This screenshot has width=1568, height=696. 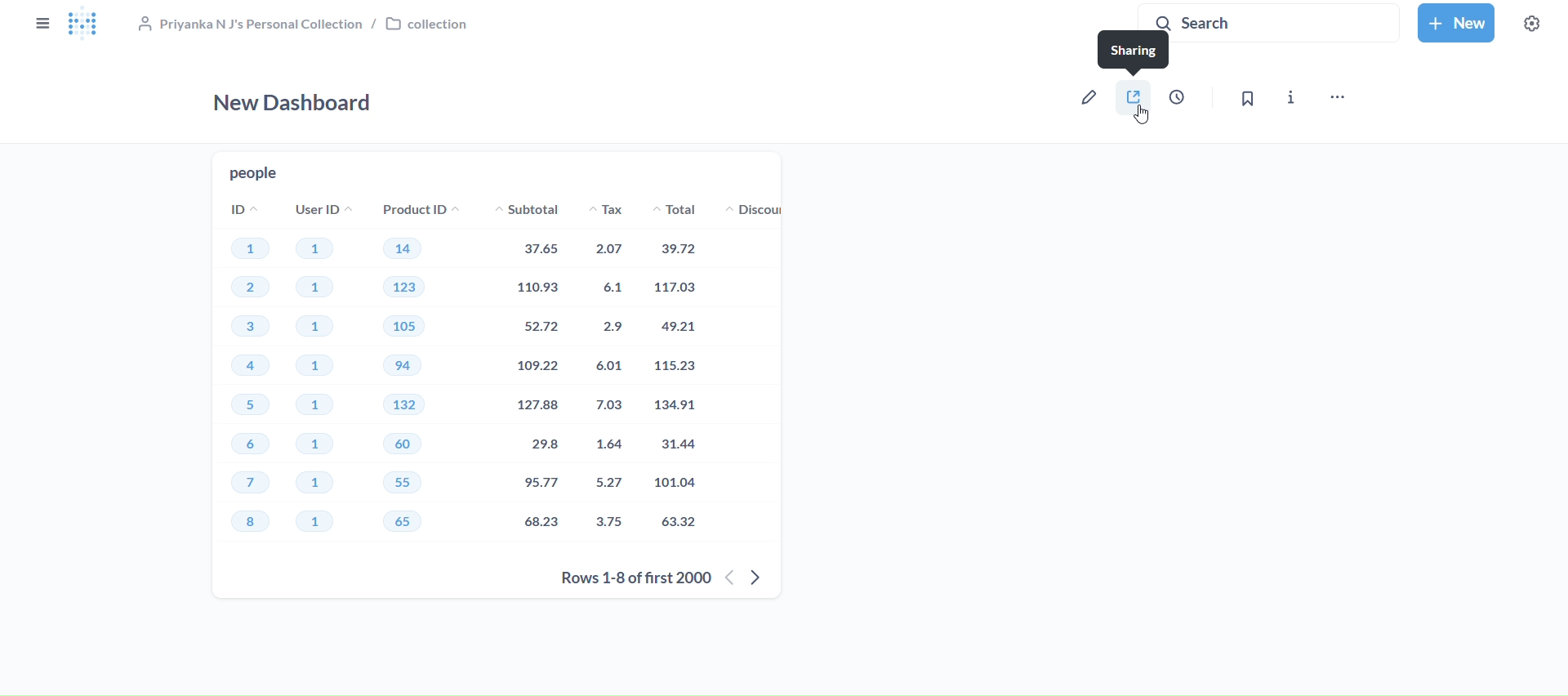 I want to click on edit, so click(x=1088, y=97).